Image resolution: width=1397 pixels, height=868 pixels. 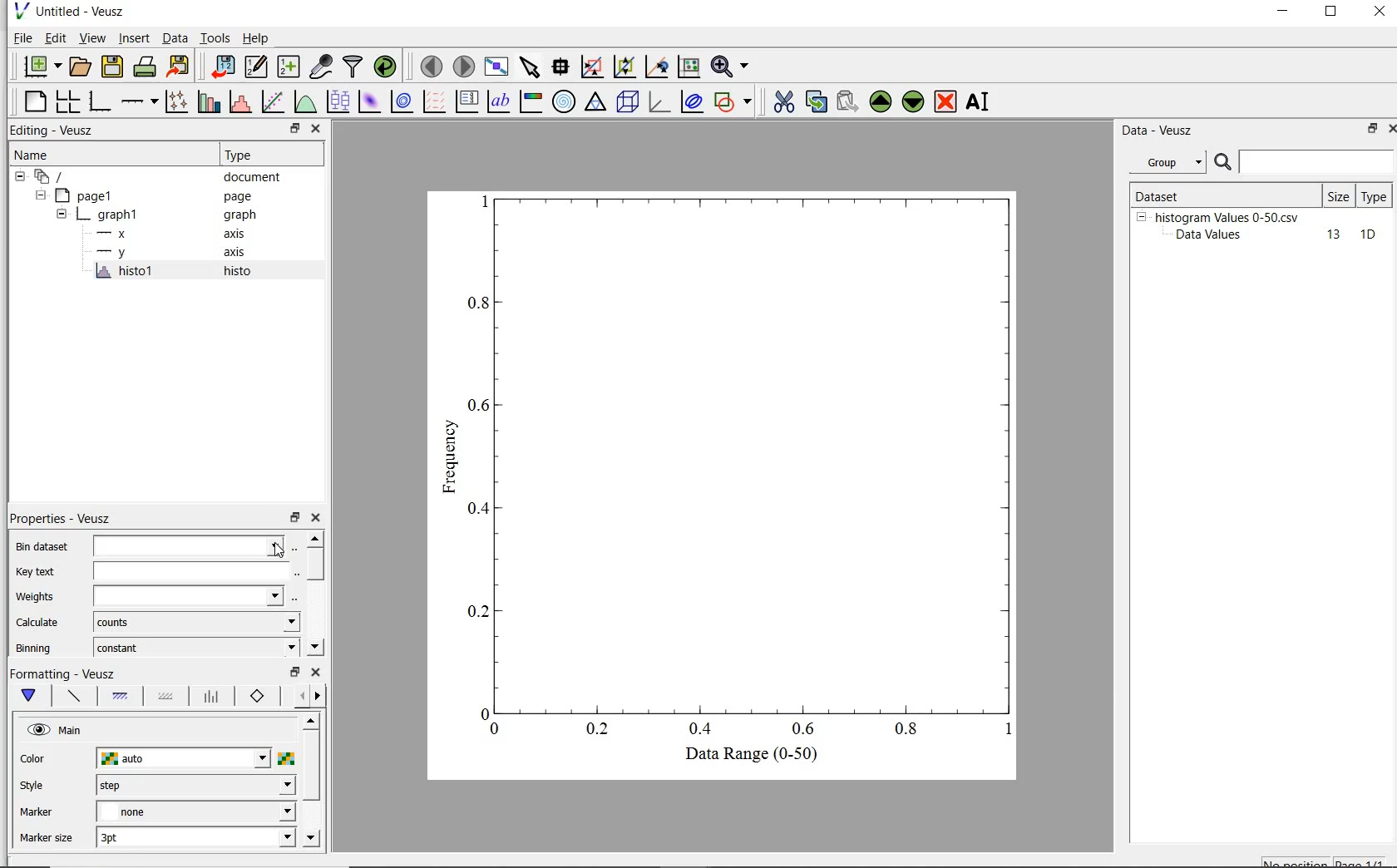 I want to click on 3 pt , so click(x=195, y=836).